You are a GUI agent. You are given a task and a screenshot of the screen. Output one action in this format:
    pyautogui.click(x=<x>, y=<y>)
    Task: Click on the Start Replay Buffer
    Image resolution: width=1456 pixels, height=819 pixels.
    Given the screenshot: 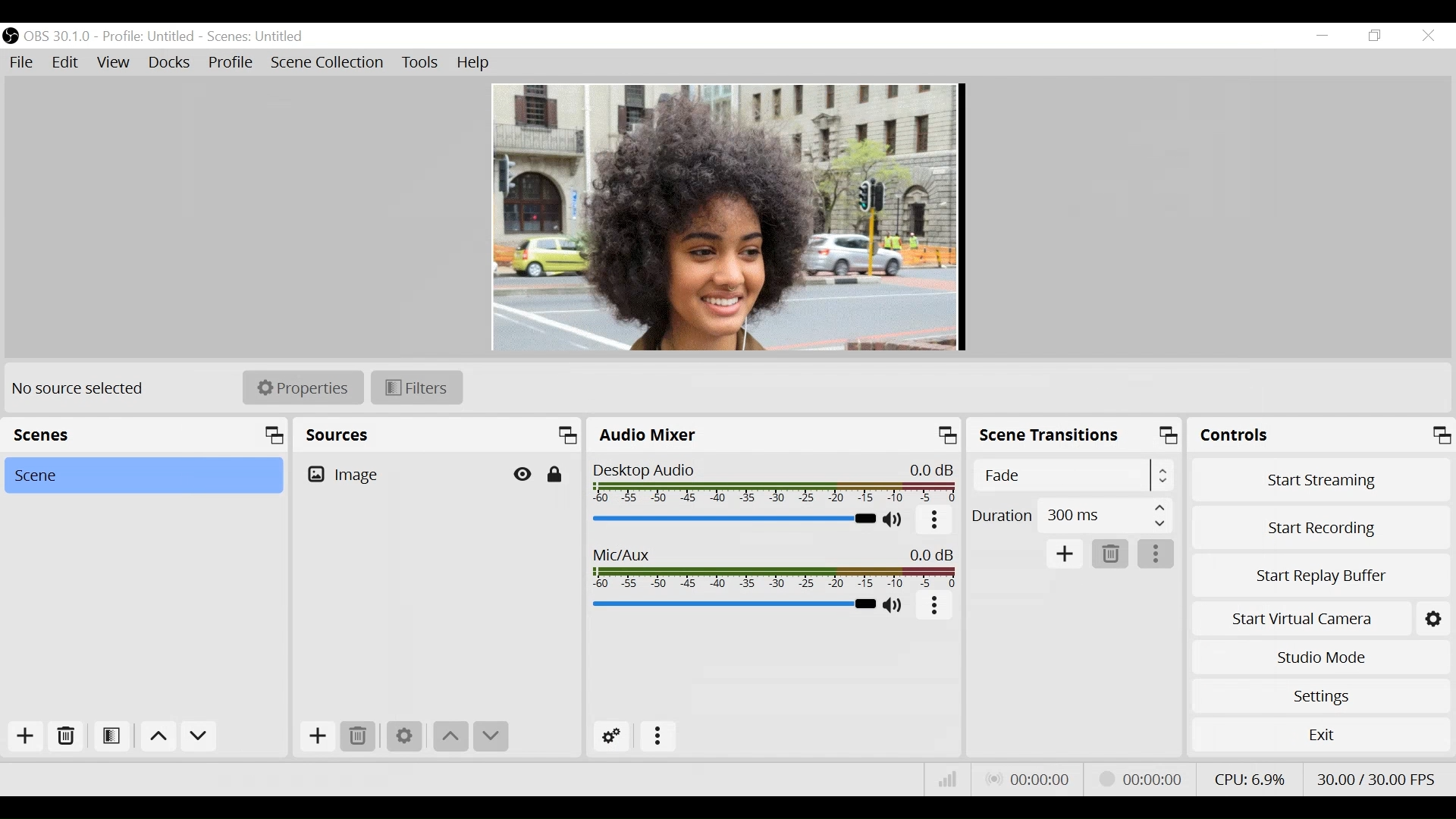 What is the action you would take?
    pyautogui.click(x=1322, y=576)
    